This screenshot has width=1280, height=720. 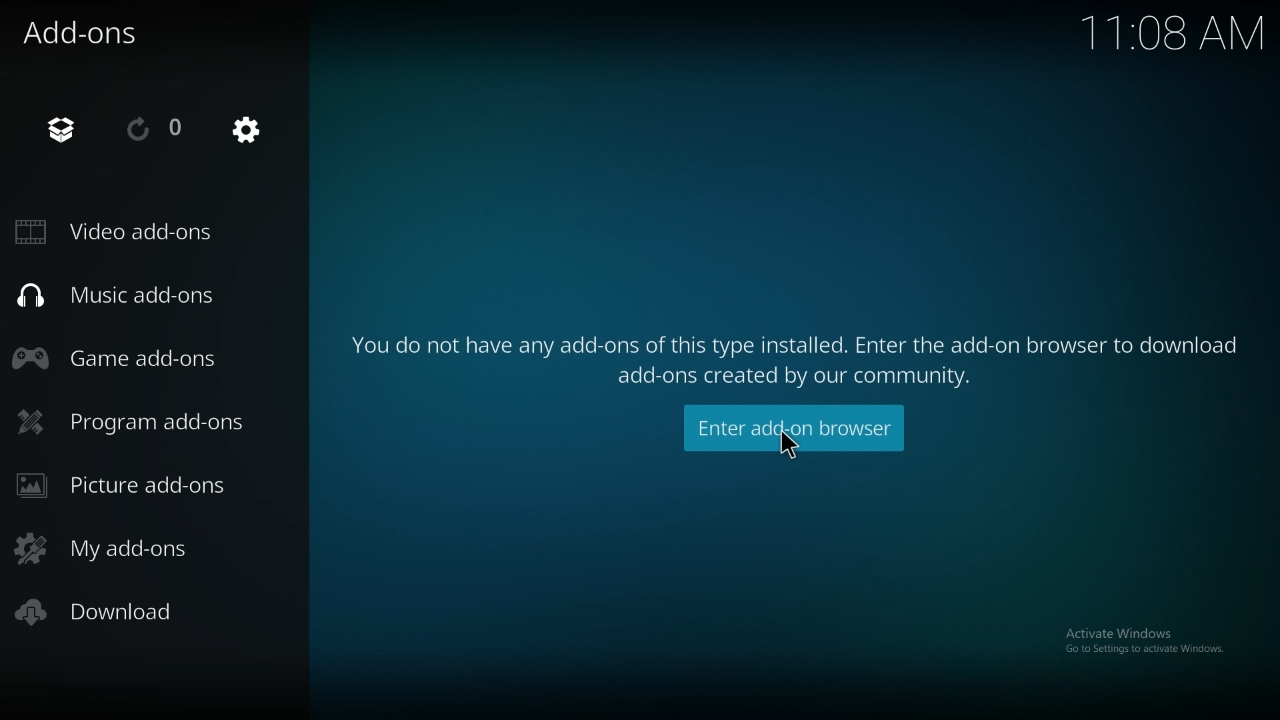 What do you see at coordinates (795, 428) in the screenshot?
I see `enter add on browser` at bounding box center [795, 428].